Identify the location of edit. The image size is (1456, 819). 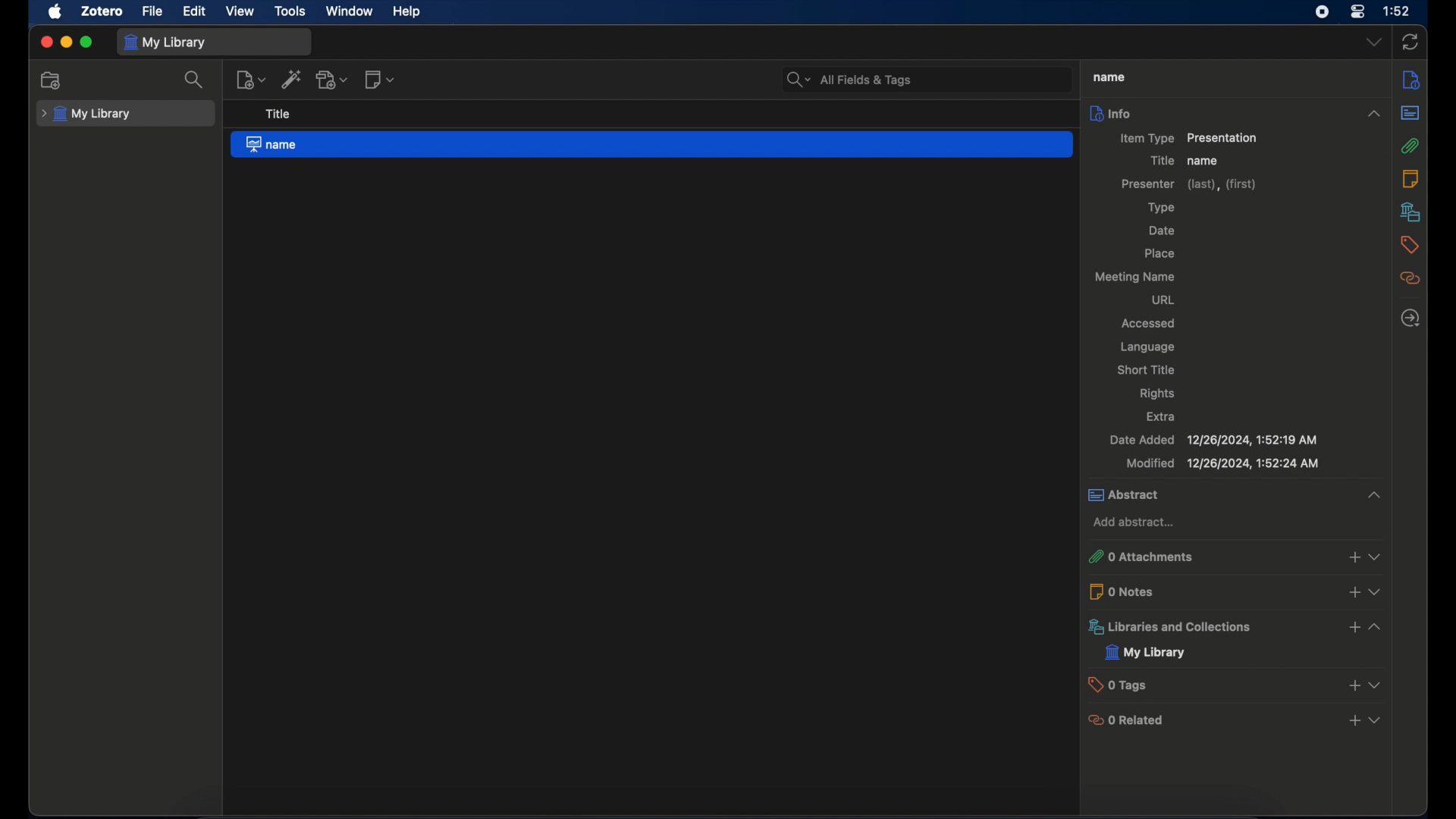
(196, 11).